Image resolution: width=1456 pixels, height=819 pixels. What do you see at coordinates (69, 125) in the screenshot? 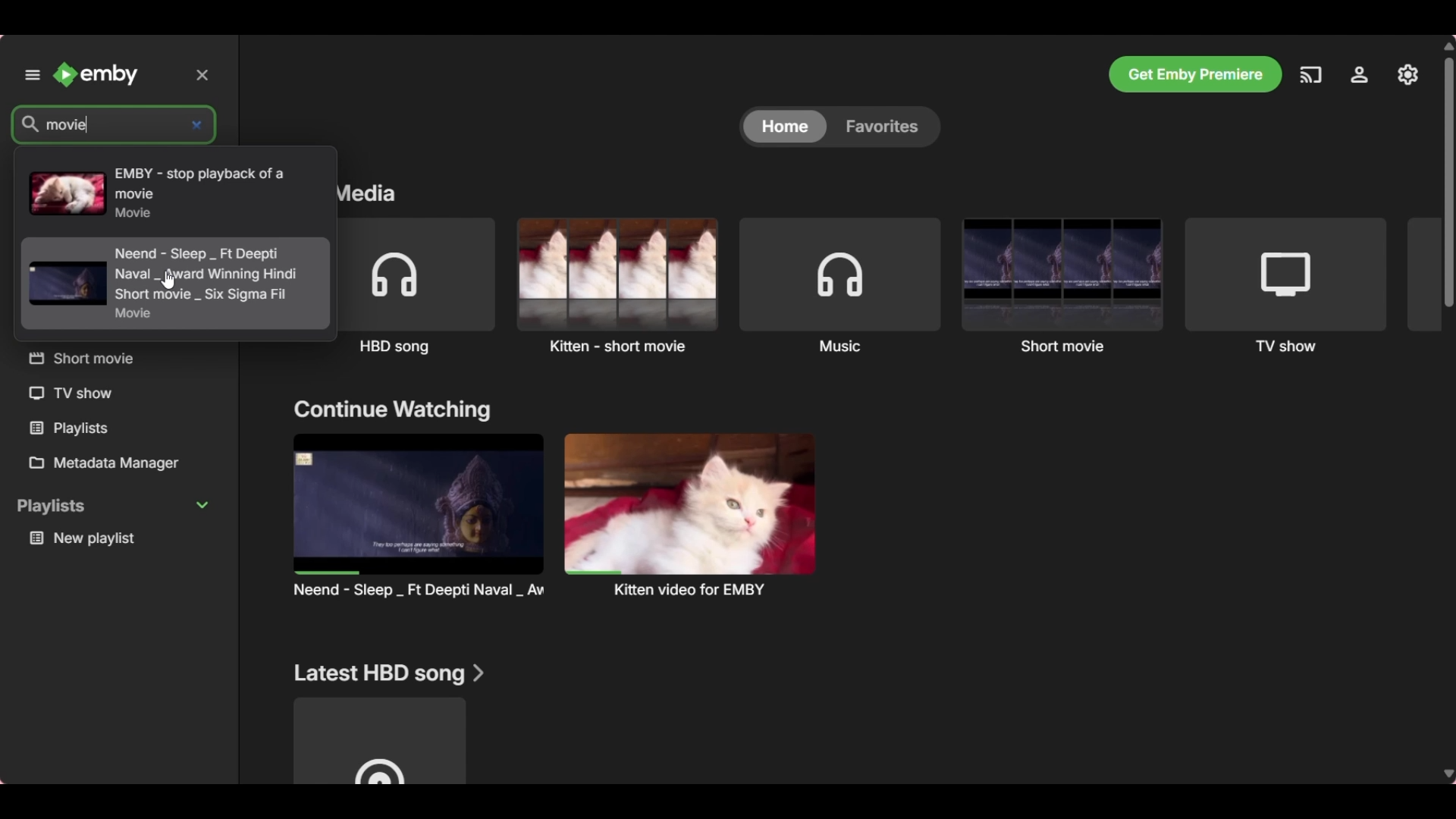
I see `Search typed in` at bounding box center [69, 125].